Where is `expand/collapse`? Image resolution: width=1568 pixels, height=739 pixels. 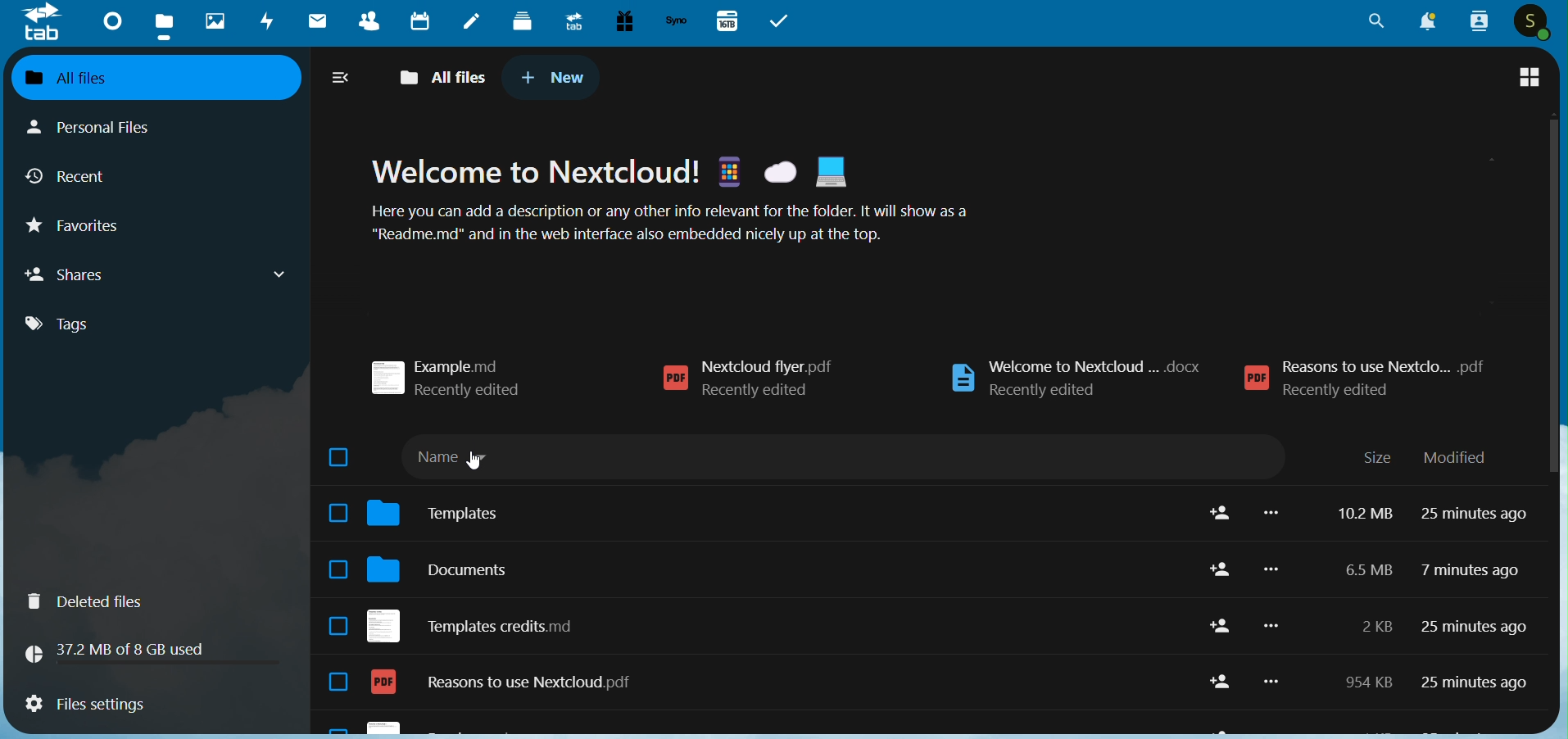
expand/collapse is located at coordinates (339, 75).